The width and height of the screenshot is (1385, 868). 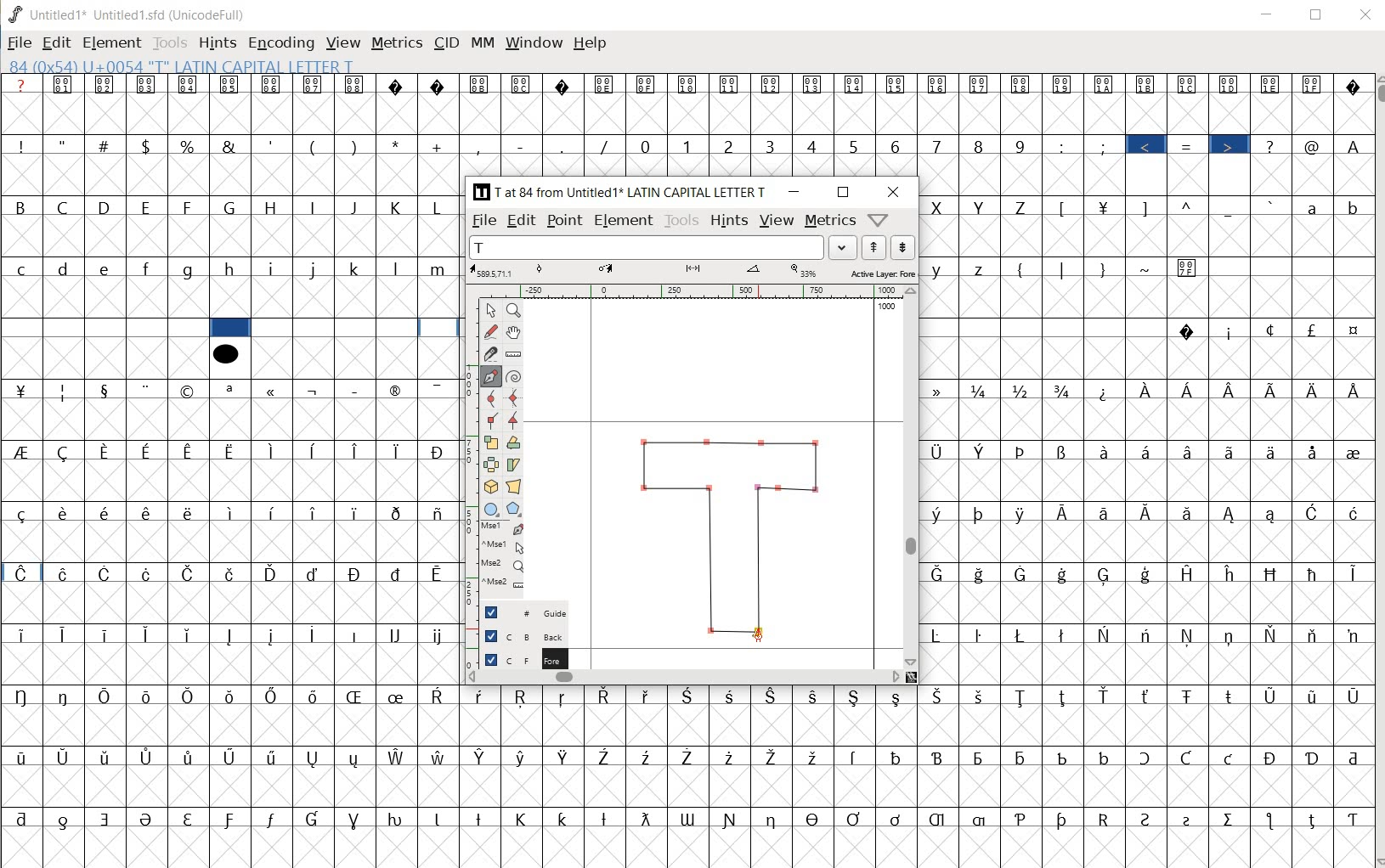 What do you see at coordinates (315, 268) in the screenshot?
I see `j` at bounding box center [315, 268].